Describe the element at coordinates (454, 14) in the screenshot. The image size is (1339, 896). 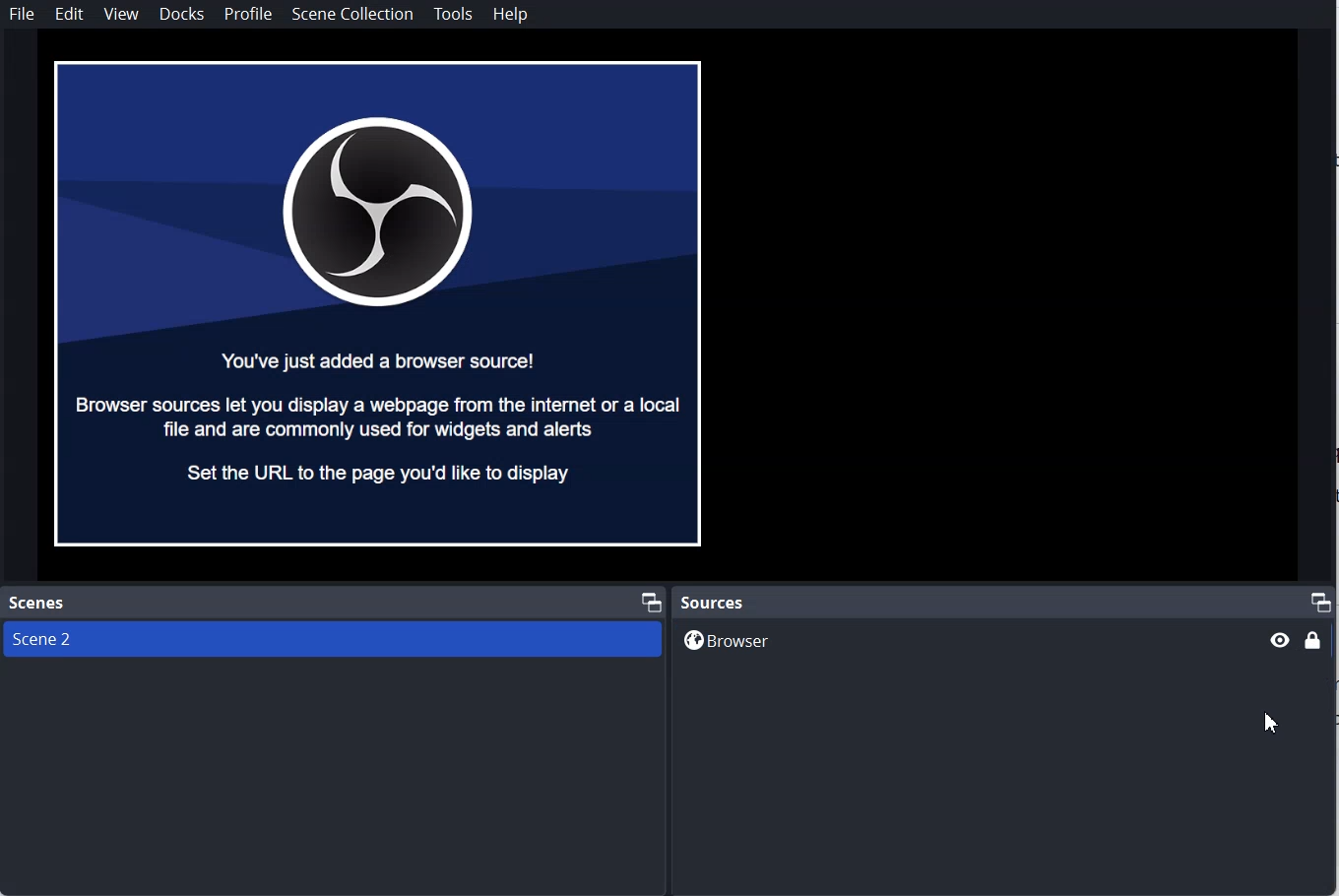
I see `Tools` at that location.